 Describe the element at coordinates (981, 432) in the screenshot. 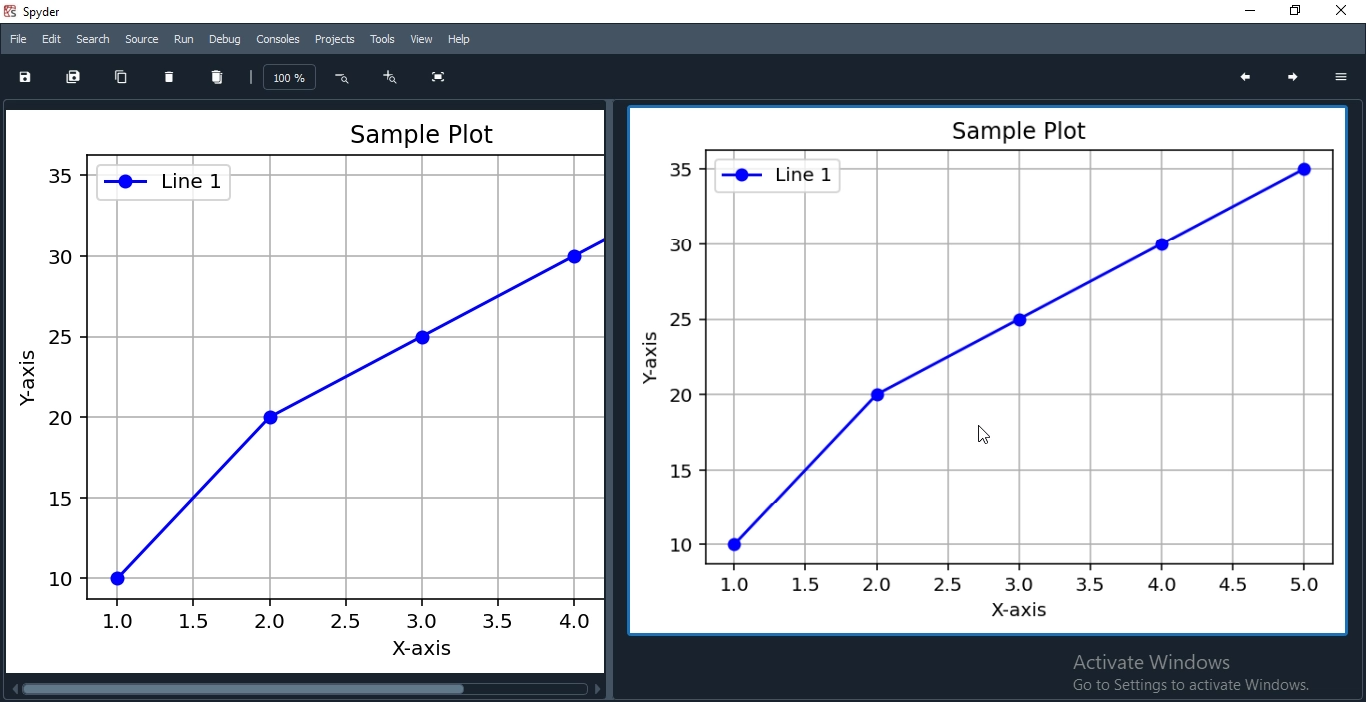

I see `cursor` at that location.